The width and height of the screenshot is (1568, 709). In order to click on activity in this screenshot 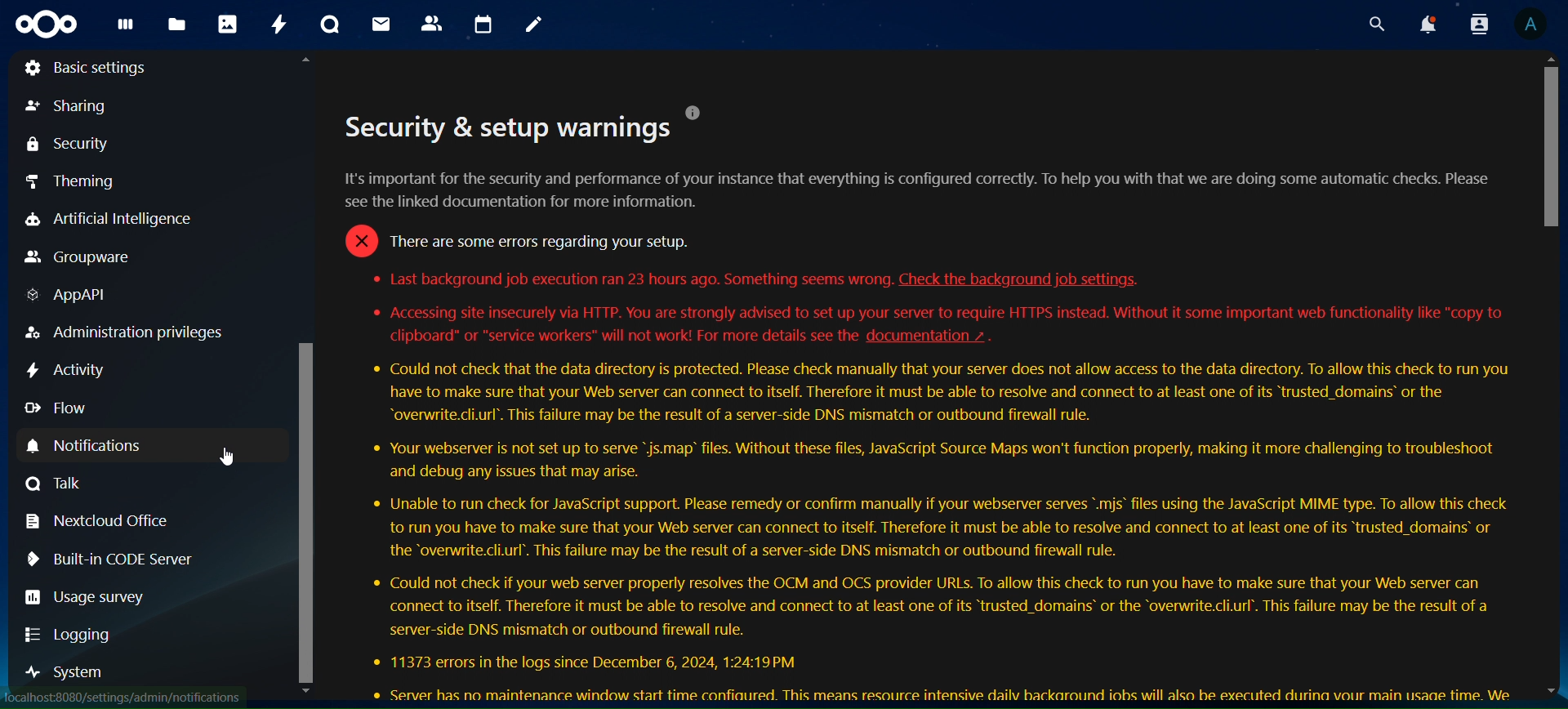, I will do `click(275, 24)`.